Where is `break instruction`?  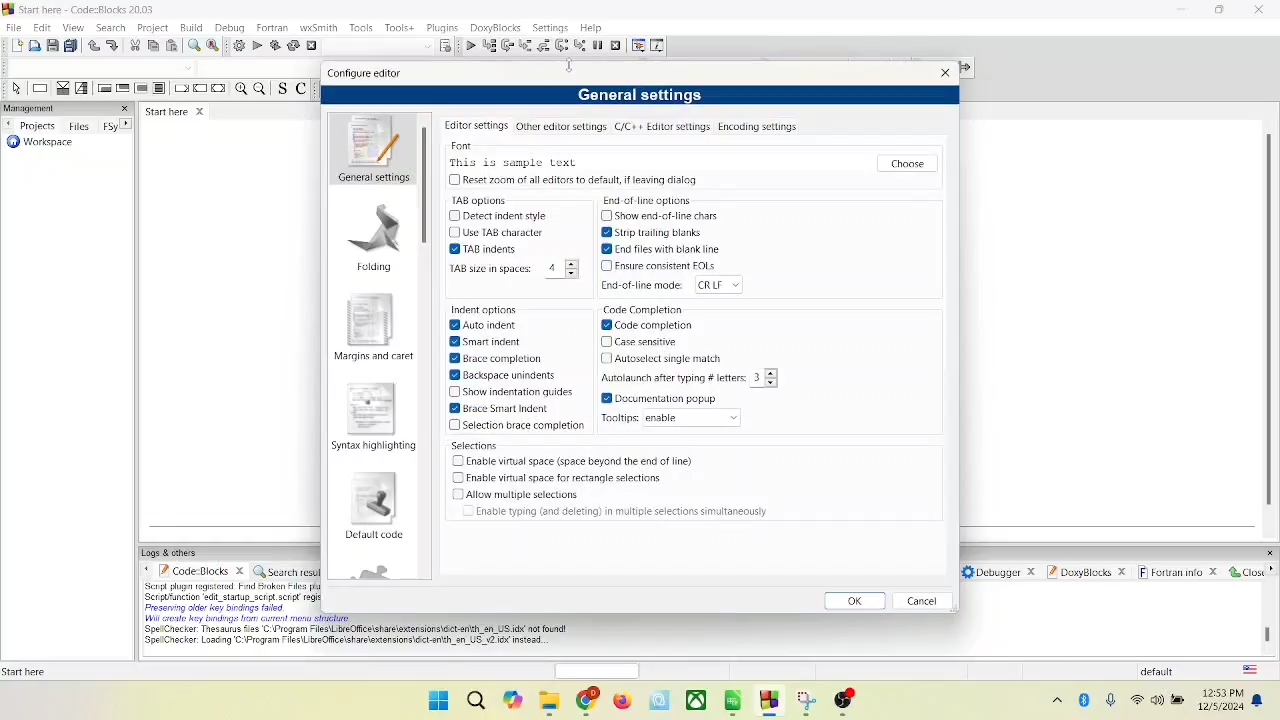 break instruction is located at coordinates (181, 88).